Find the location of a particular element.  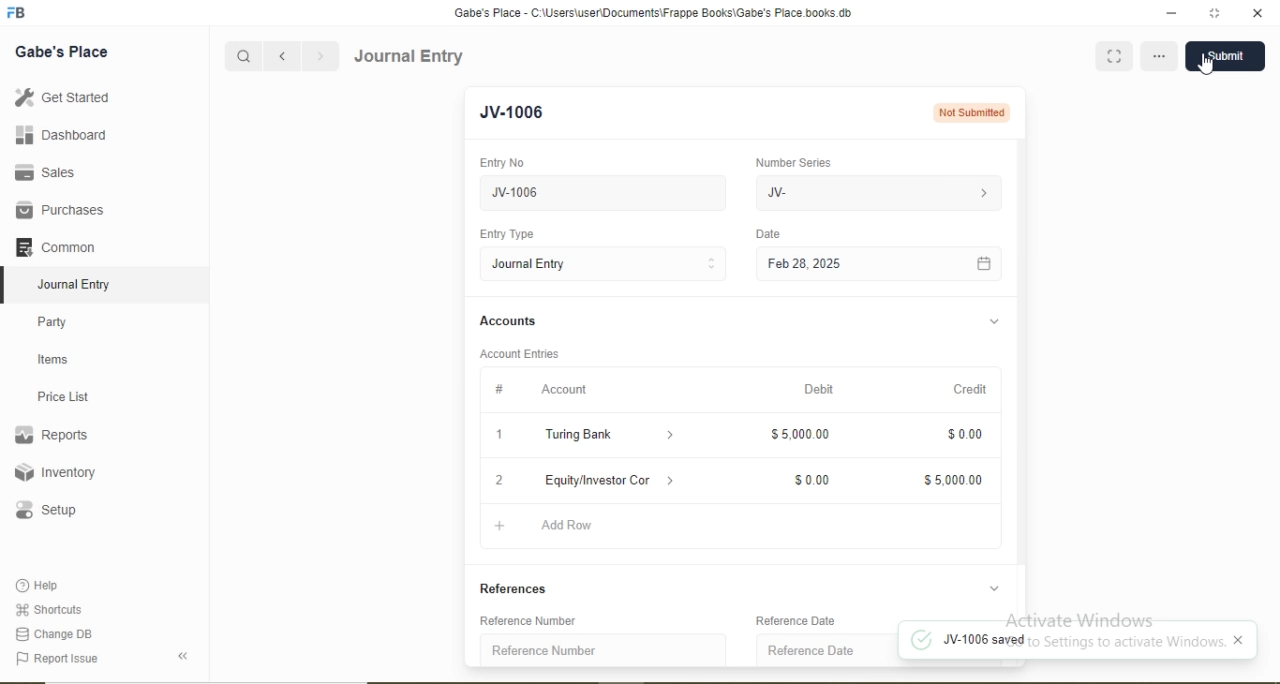

Dropdown is located at coordinates (672, 436).